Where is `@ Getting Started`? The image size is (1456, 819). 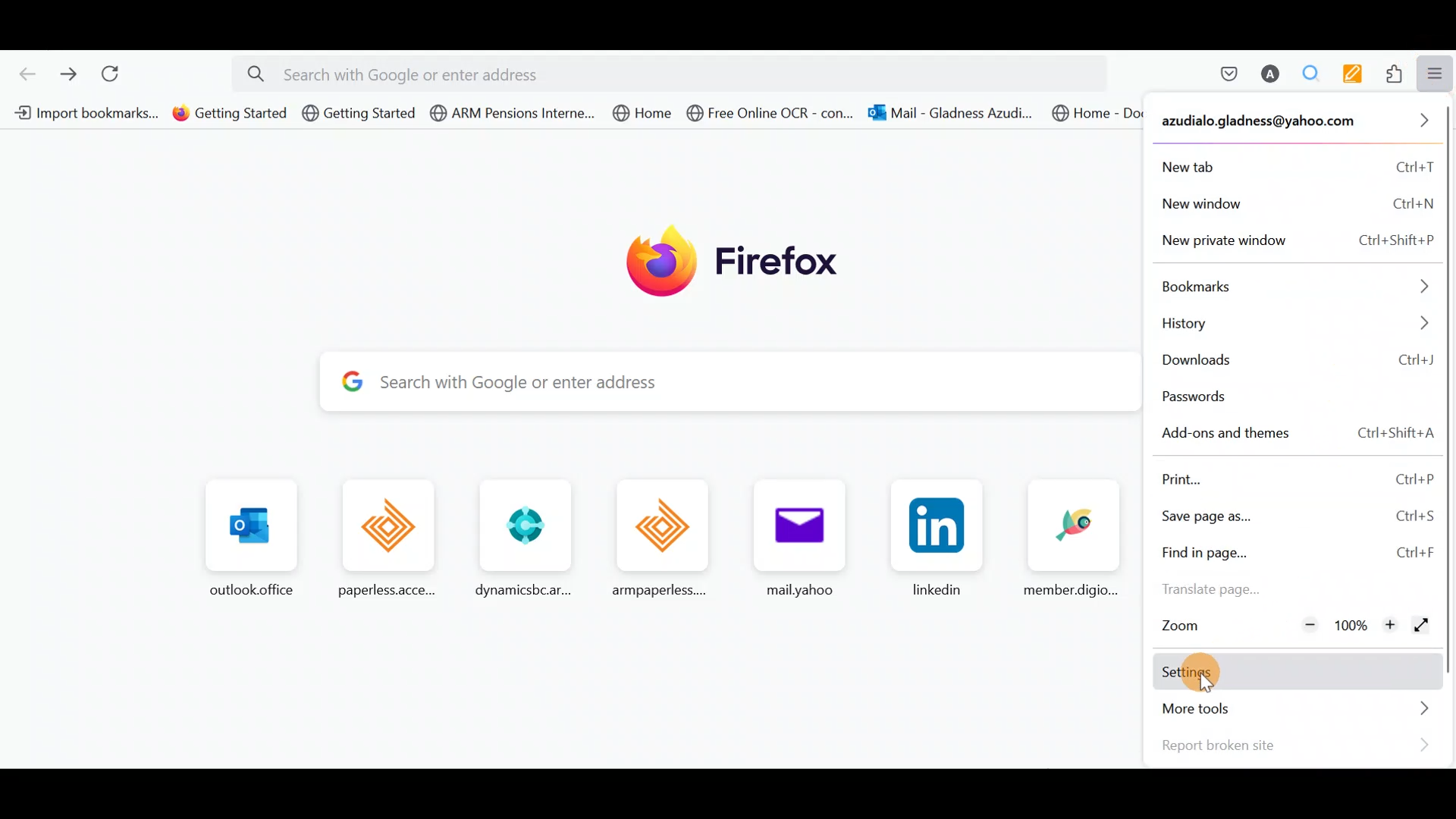 @ Getting Started is located at coordinates (359, 117).